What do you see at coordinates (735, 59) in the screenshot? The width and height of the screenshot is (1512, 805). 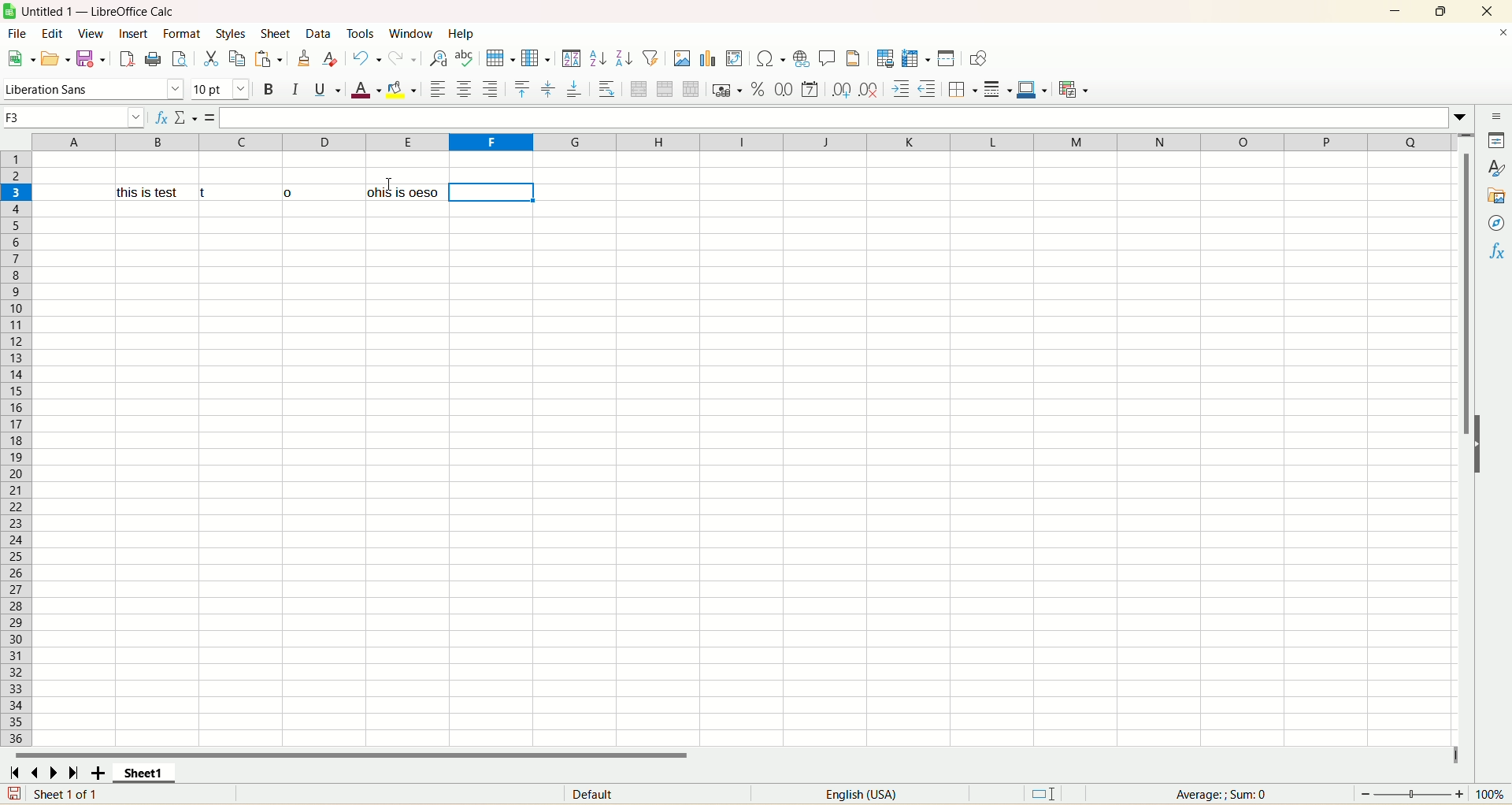 I see `insert pivot table` at bounding box center [735, 59].